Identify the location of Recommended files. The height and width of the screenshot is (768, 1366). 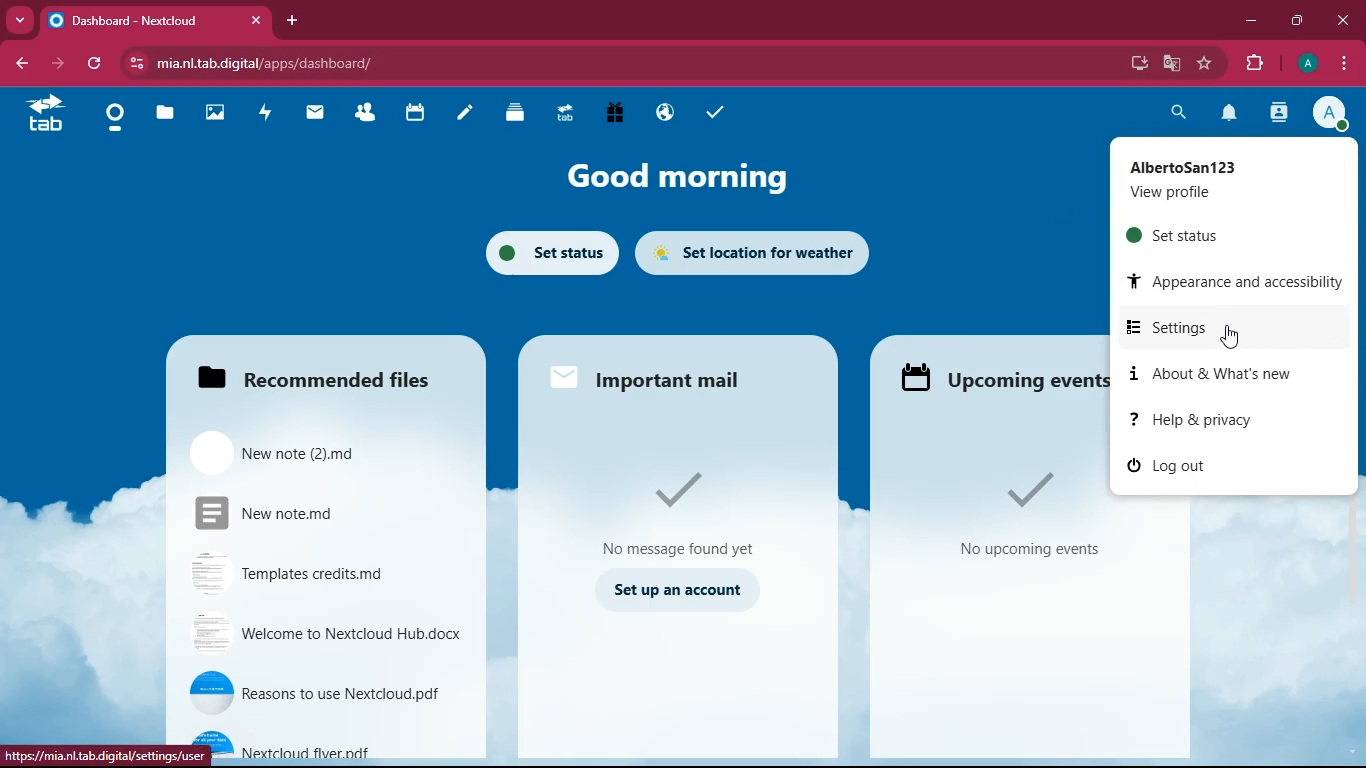
(318, 378).